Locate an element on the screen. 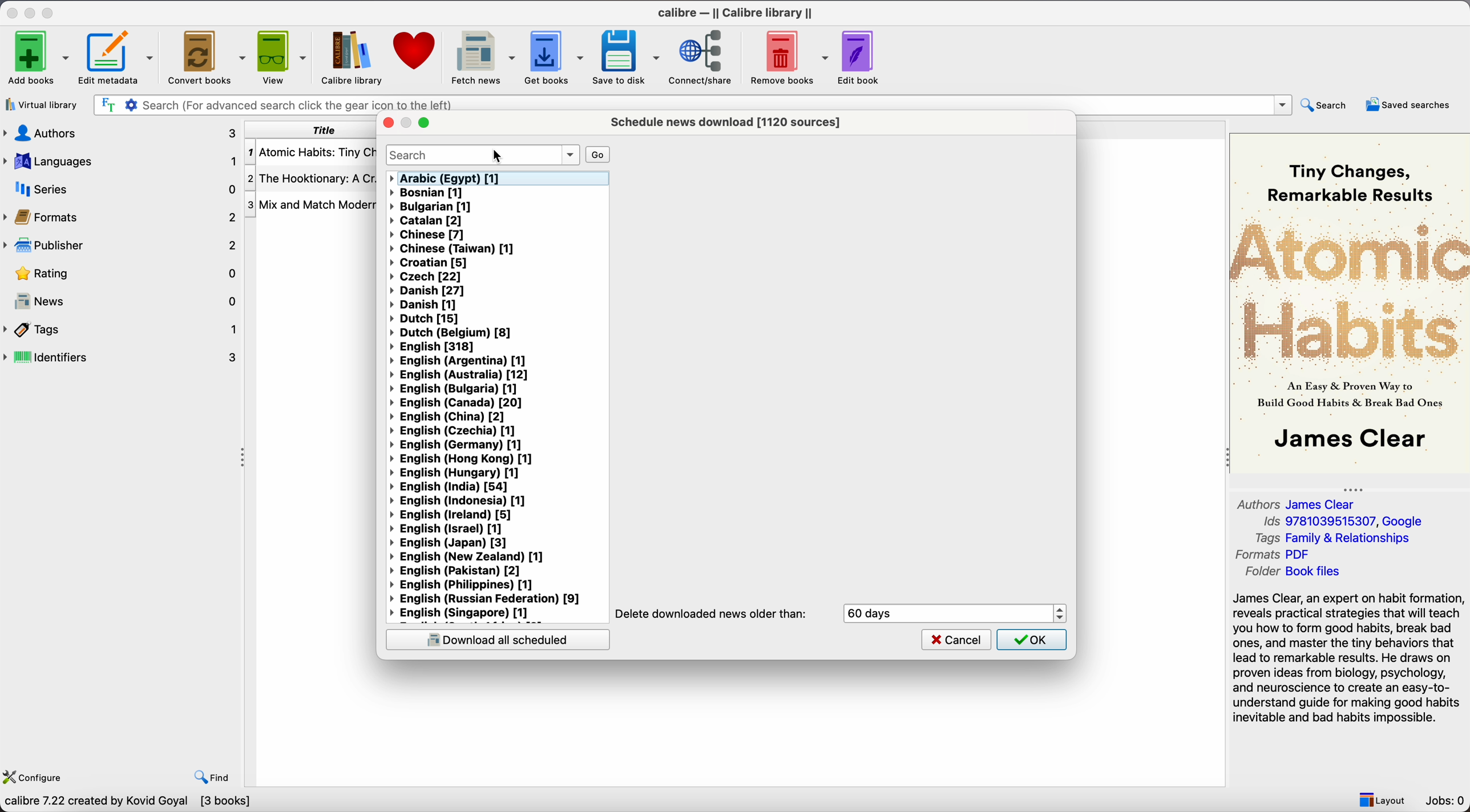 The width and height of the screenshot is (1470, 812). Dutch (Belgium) [8] is located at coordinates (454, 333).